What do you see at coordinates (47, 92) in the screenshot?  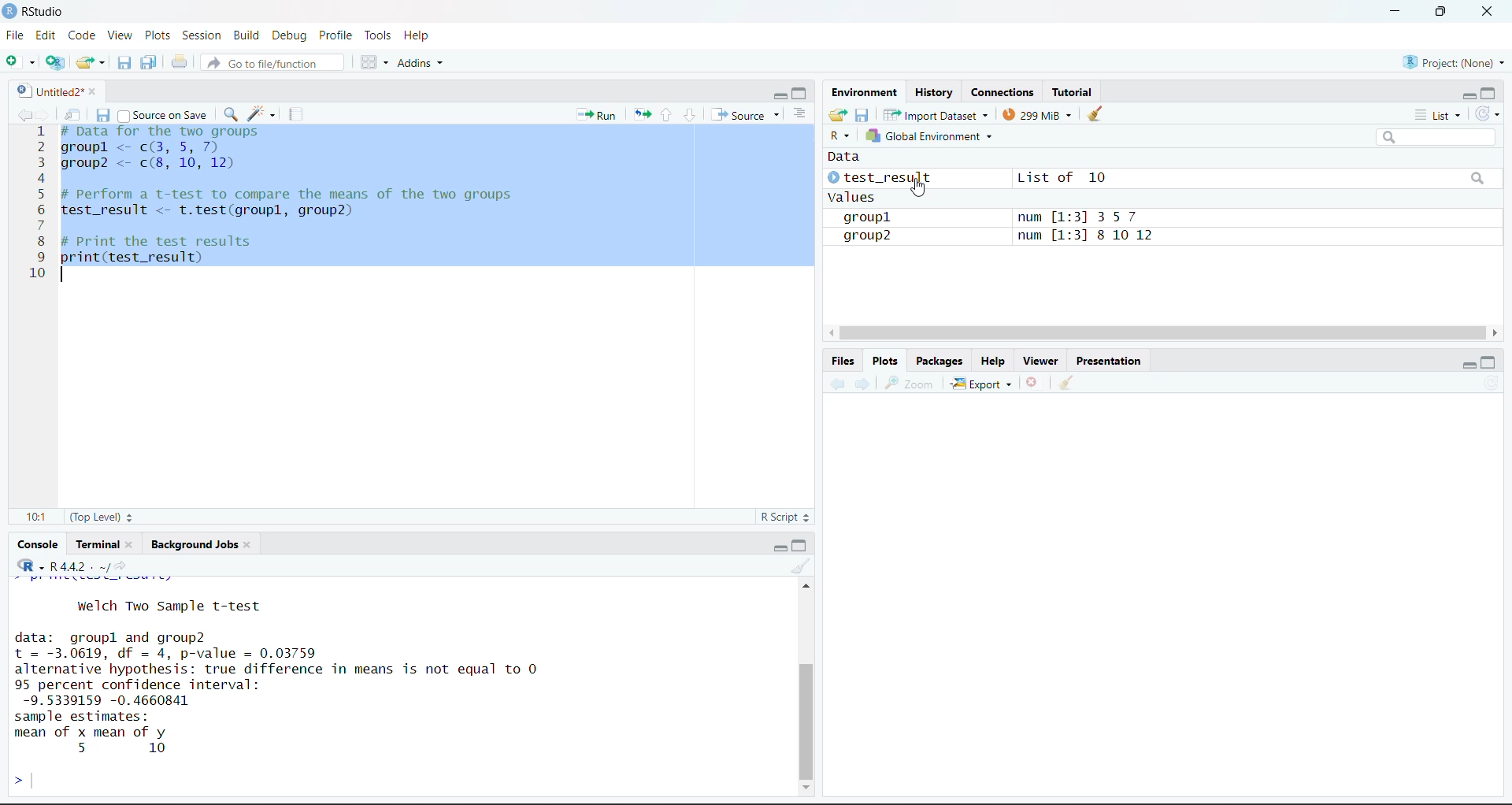 I see `Untitled2*` at bounding box center [47, 92].